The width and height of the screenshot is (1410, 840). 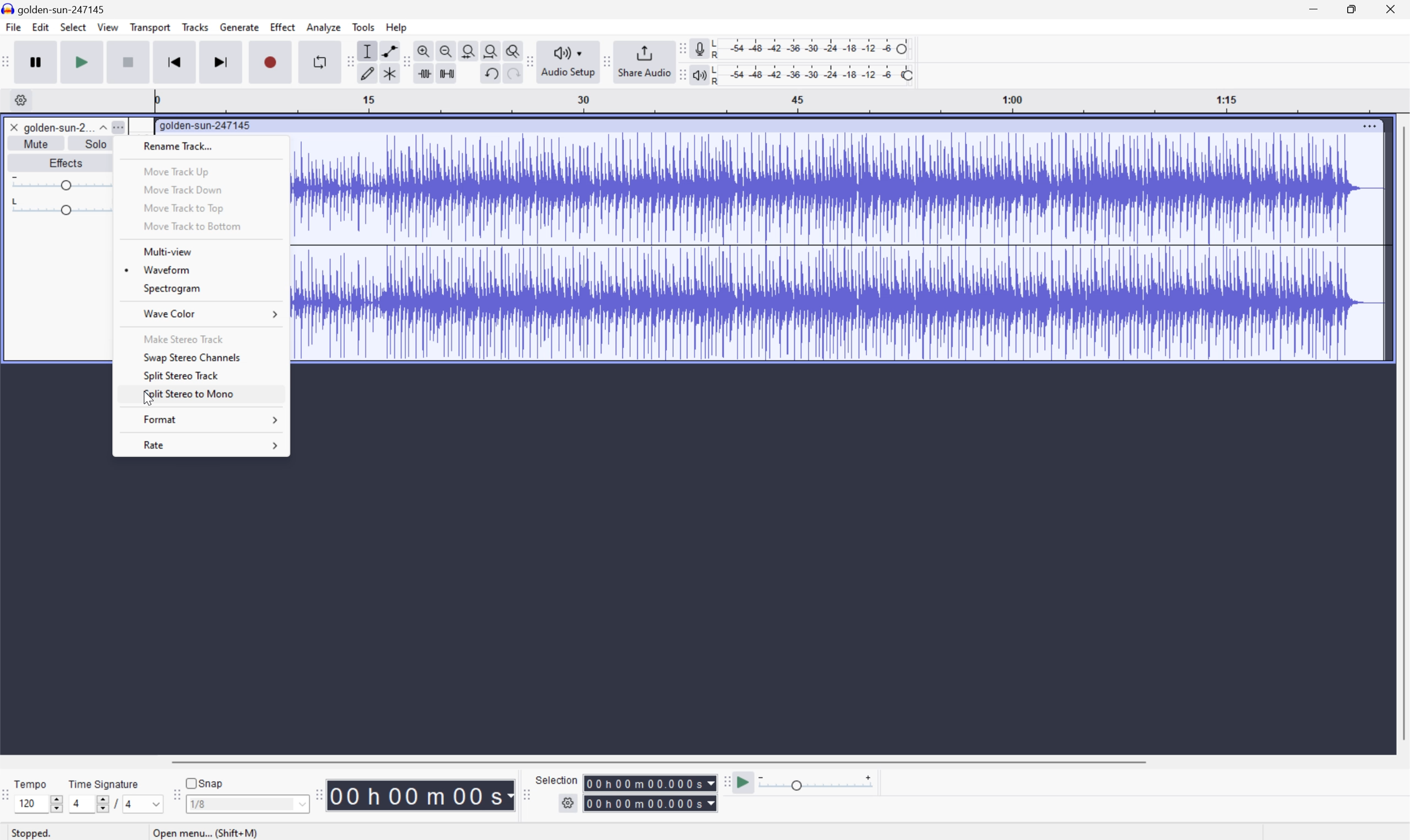 What do you see at coordinates (161, 420) in the screenshot?
I see `Format` at bounding box center [161, 420].